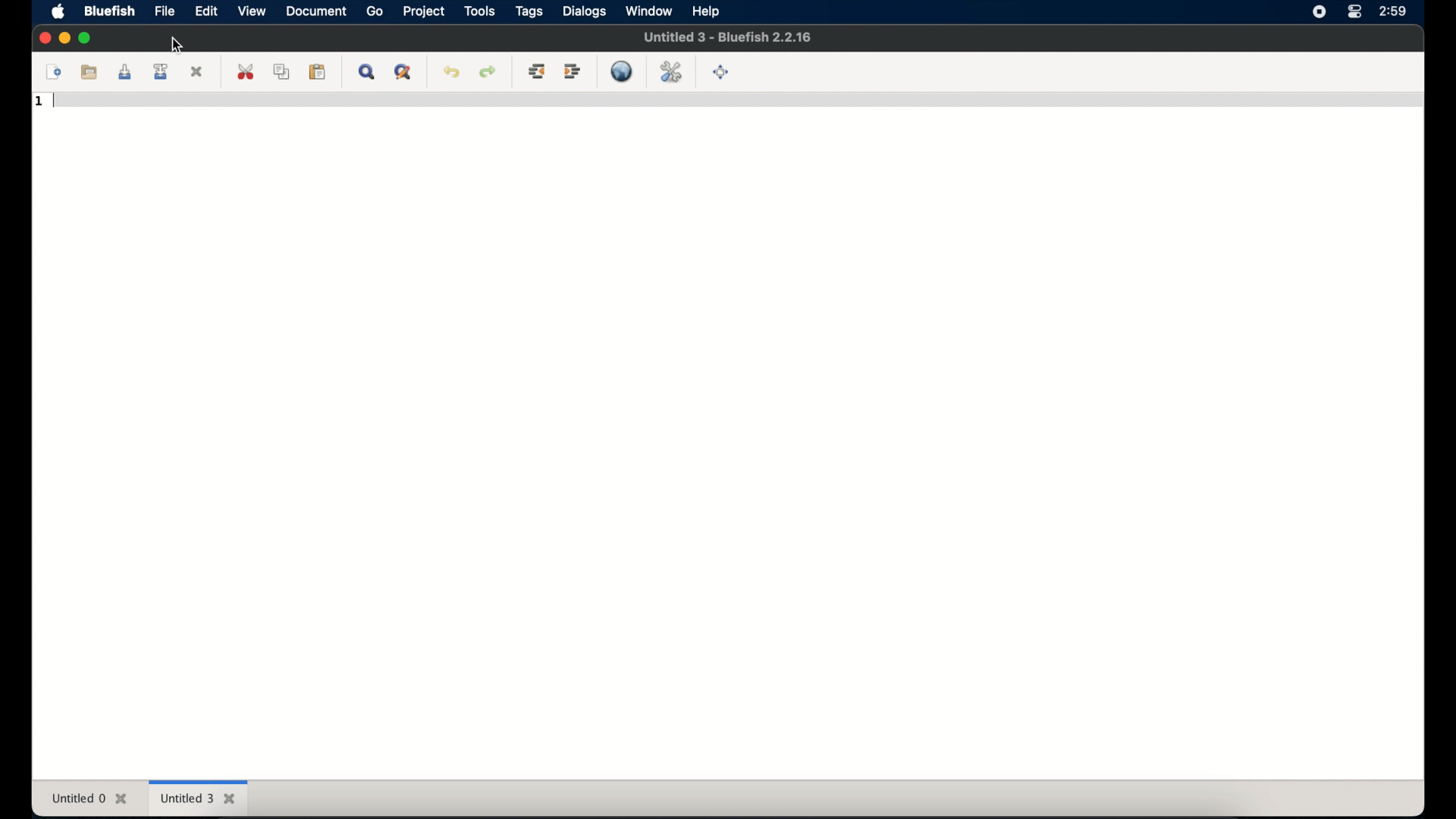 The image size is (1456, 819). Describe the element at coordinates (538, 71) in the screenshot. I see `unindent` at that location.